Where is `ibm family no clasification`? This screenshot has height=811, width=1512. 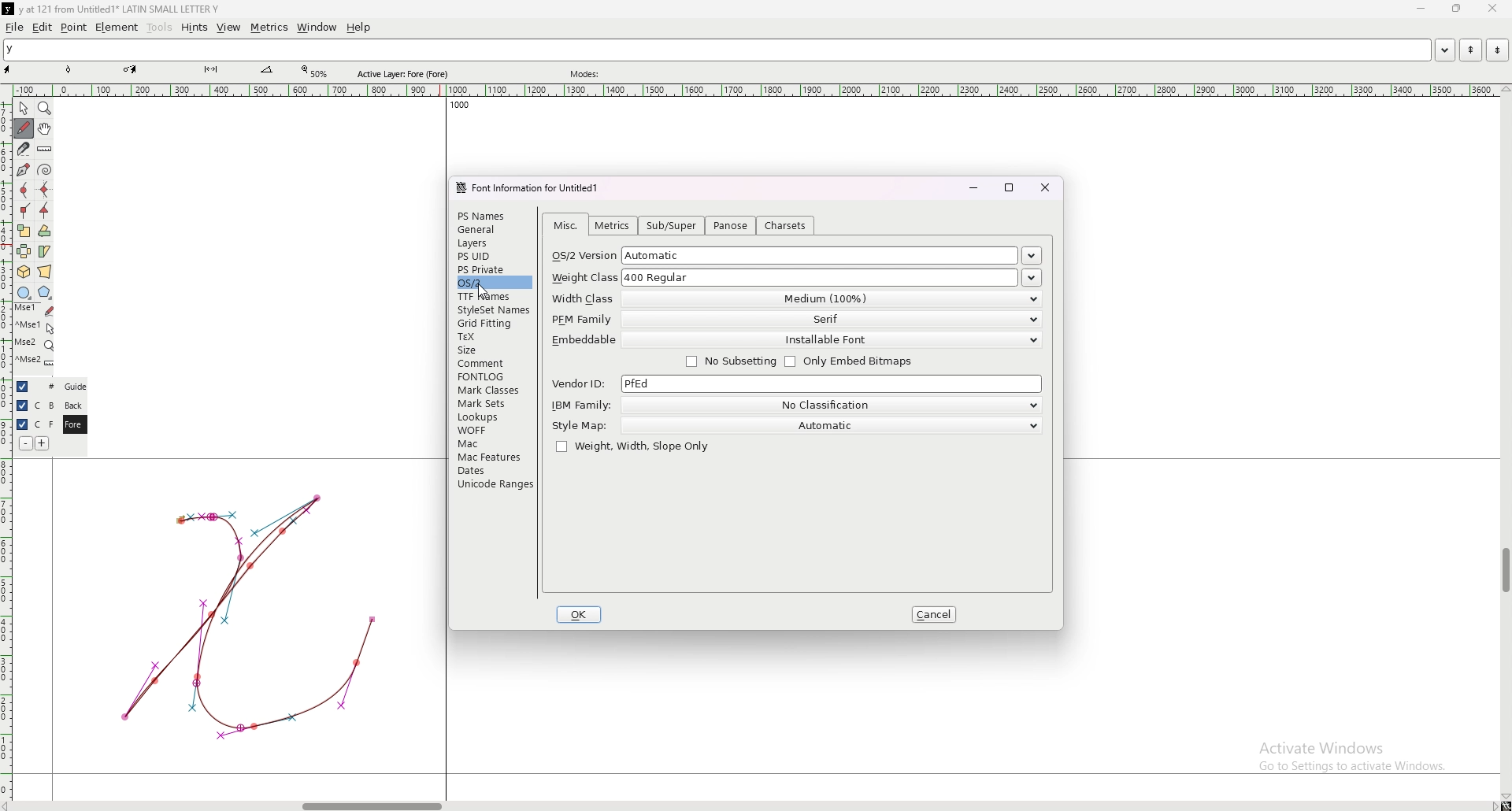
ibm family no clasification is located at coordinates (795, 405).